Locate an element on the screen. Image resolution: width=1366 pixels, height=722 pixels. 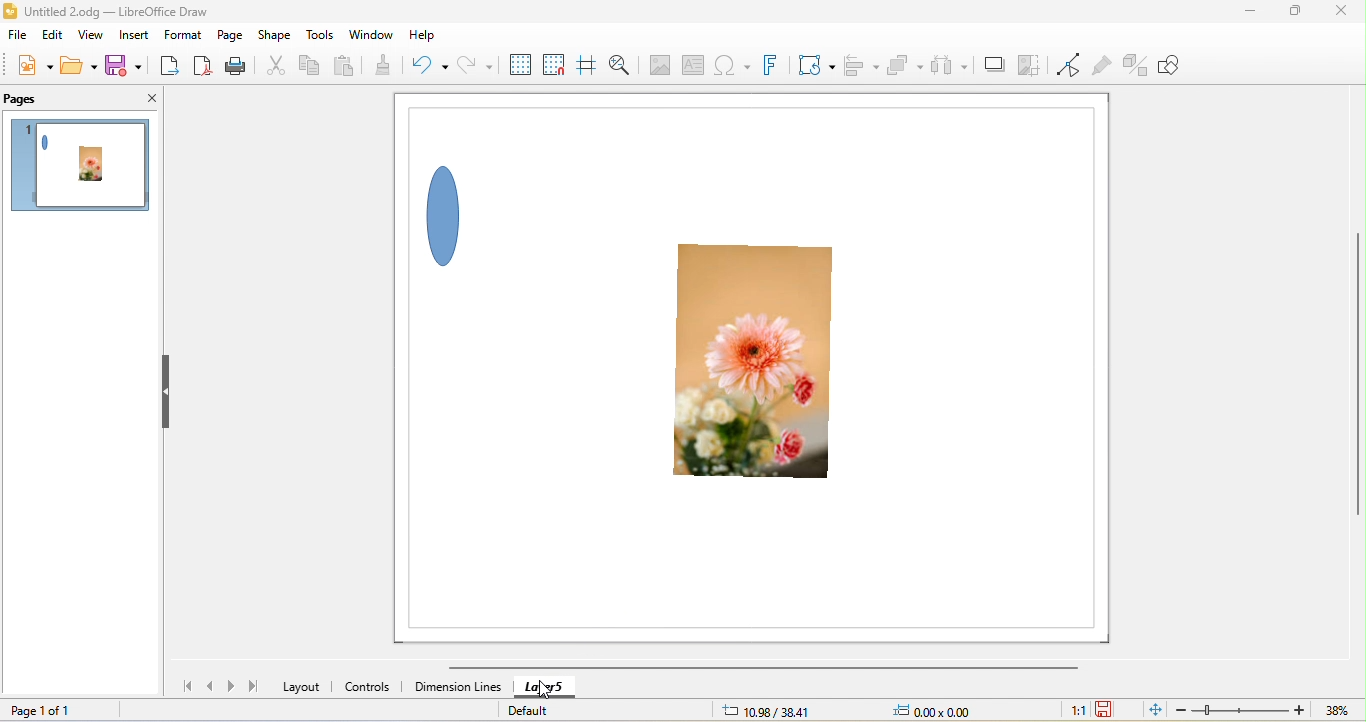
minimize is located at coordinates (1252, 13).